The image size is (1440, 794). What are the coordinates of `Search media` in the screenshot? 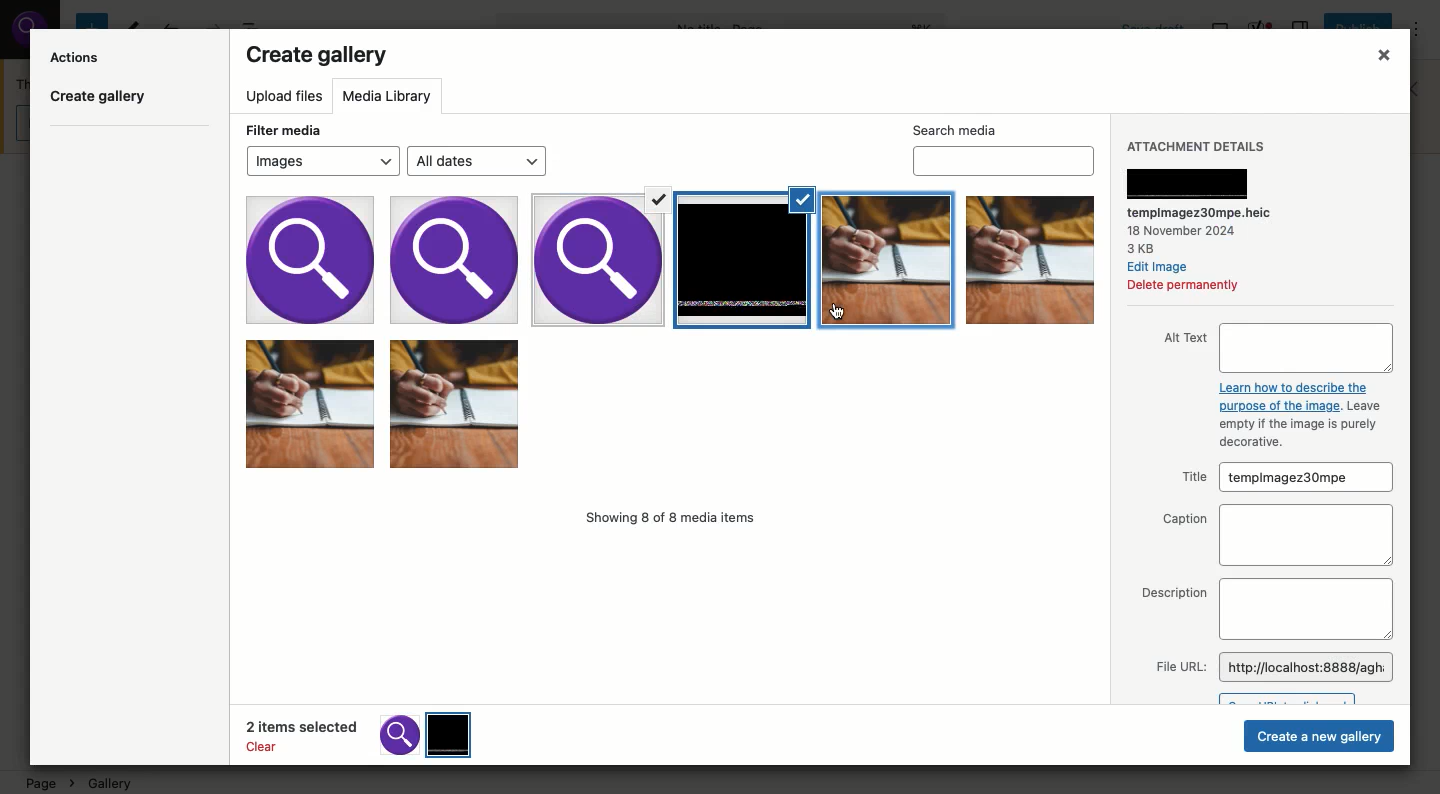 It's located at (1004, 147).